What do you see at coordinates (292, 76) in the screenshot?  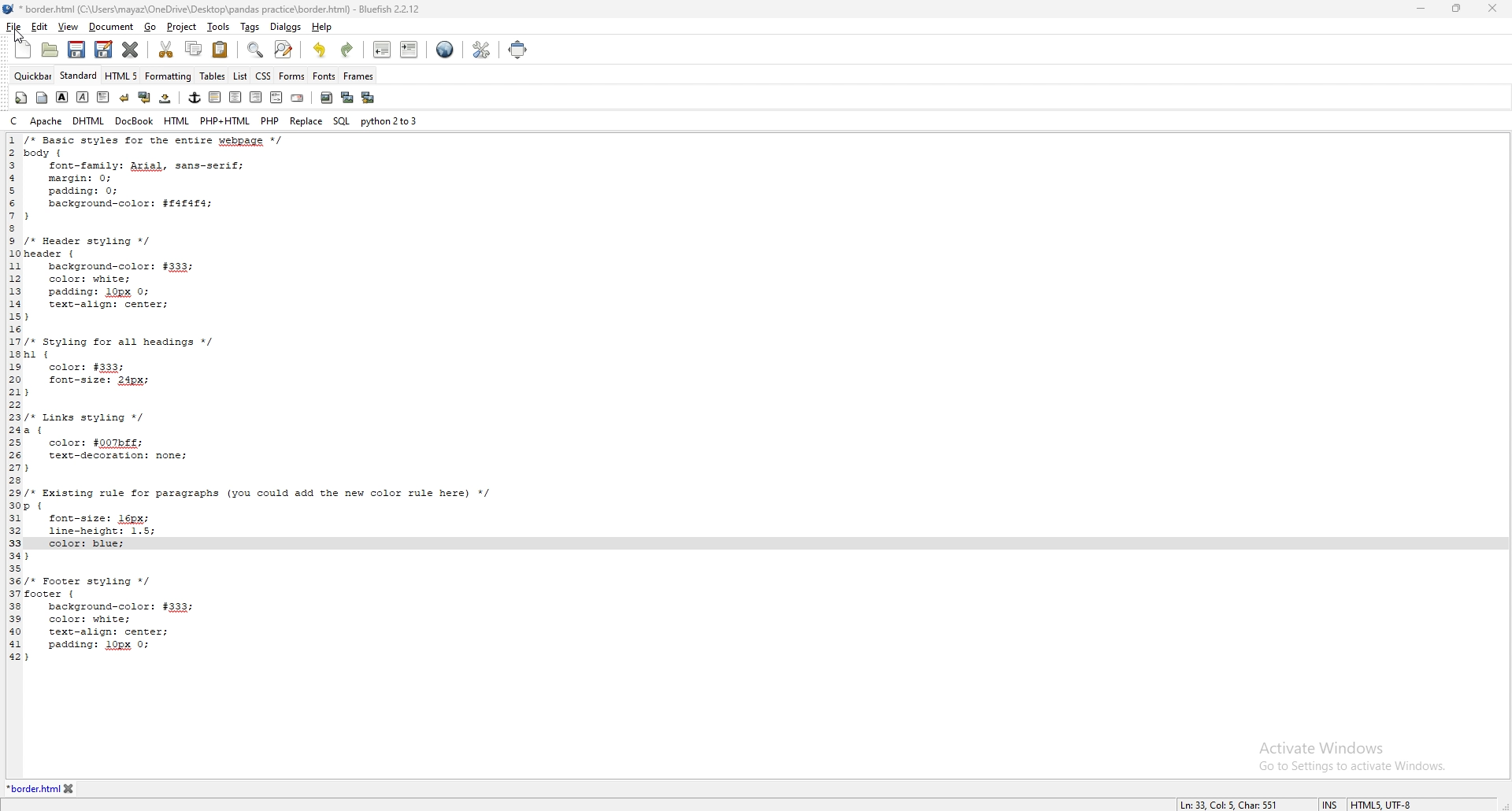 I see `forms` at bounding box center [292, 76].